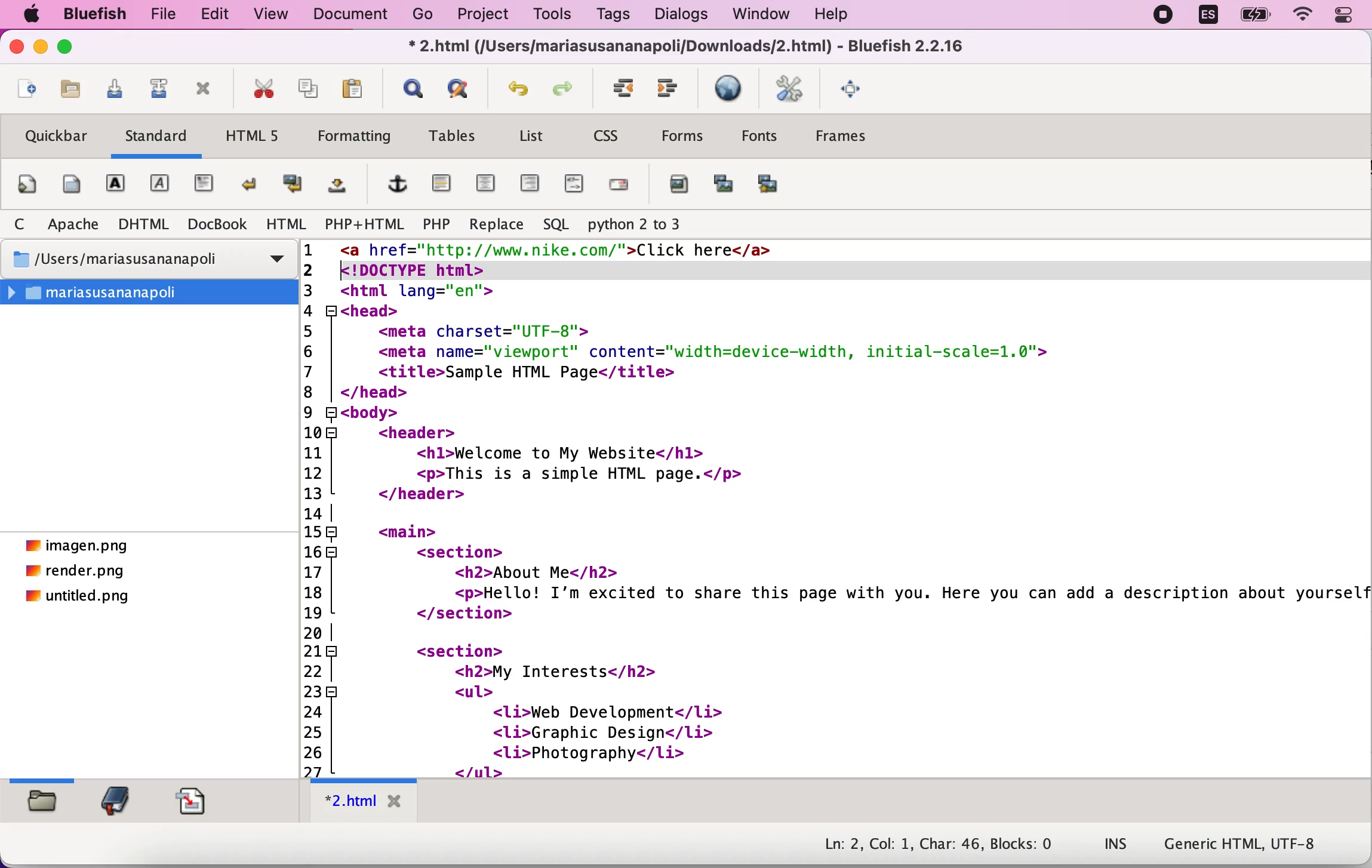 This screenshot has width=1372, height=868. I want to click on insert thumbnail, so click(722, 189).